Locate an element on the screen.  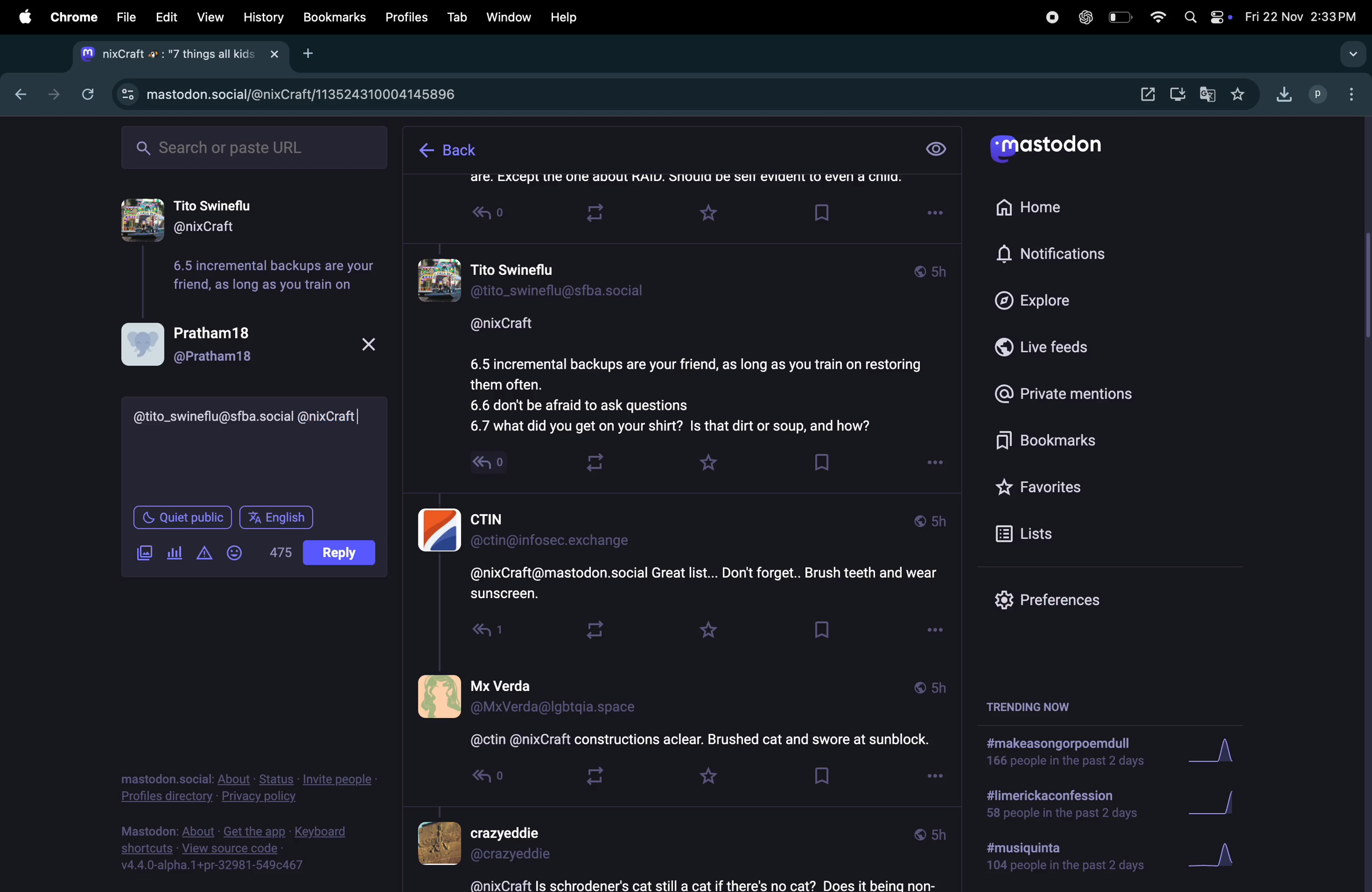
battery is located at coordinates (1122, 17).